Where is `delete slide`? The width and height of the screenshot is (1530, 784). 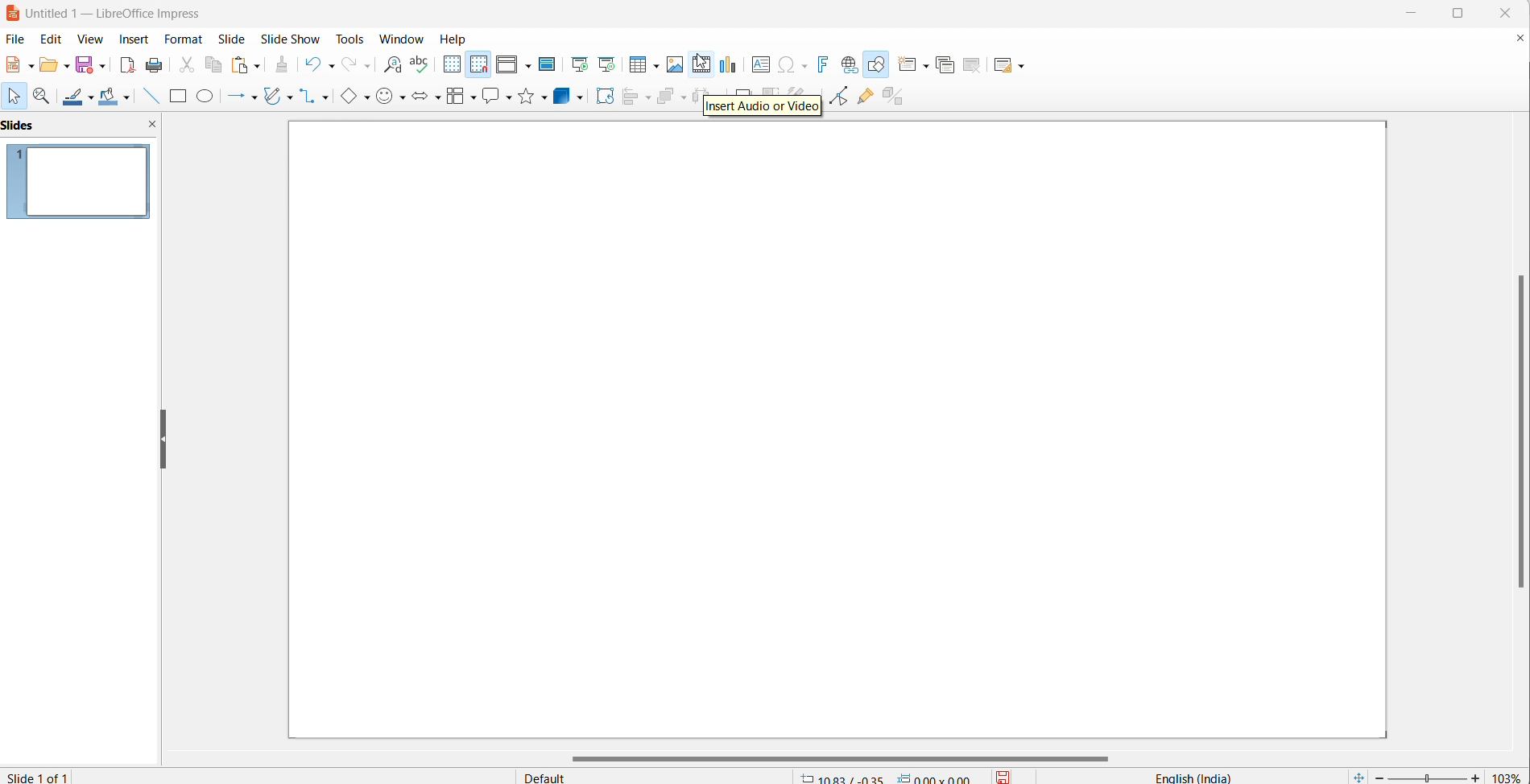
delete slide is located at coordinates (974, 65).